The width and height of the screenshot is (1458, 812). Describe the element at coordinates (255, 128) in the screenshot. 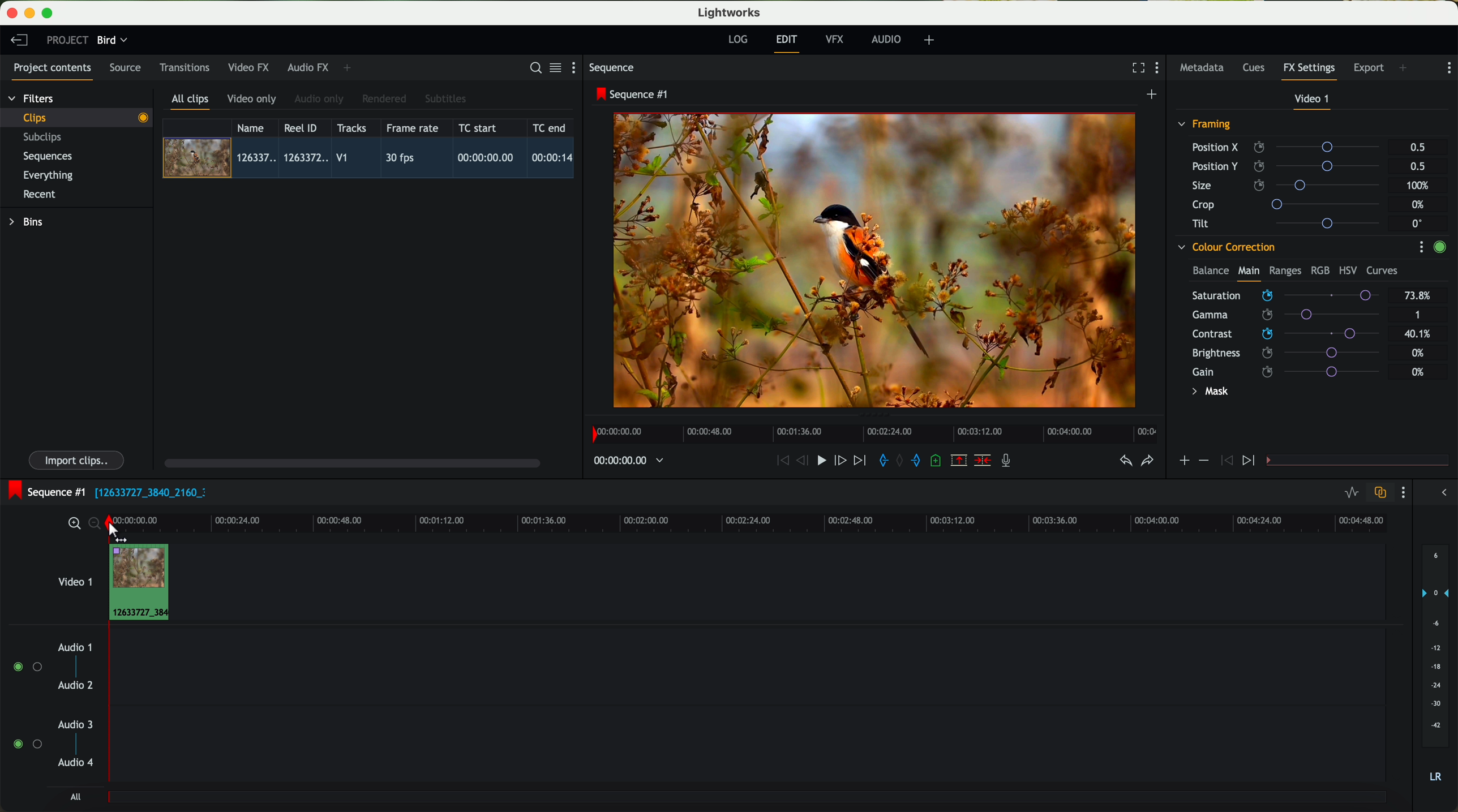

I see `name` at that location.